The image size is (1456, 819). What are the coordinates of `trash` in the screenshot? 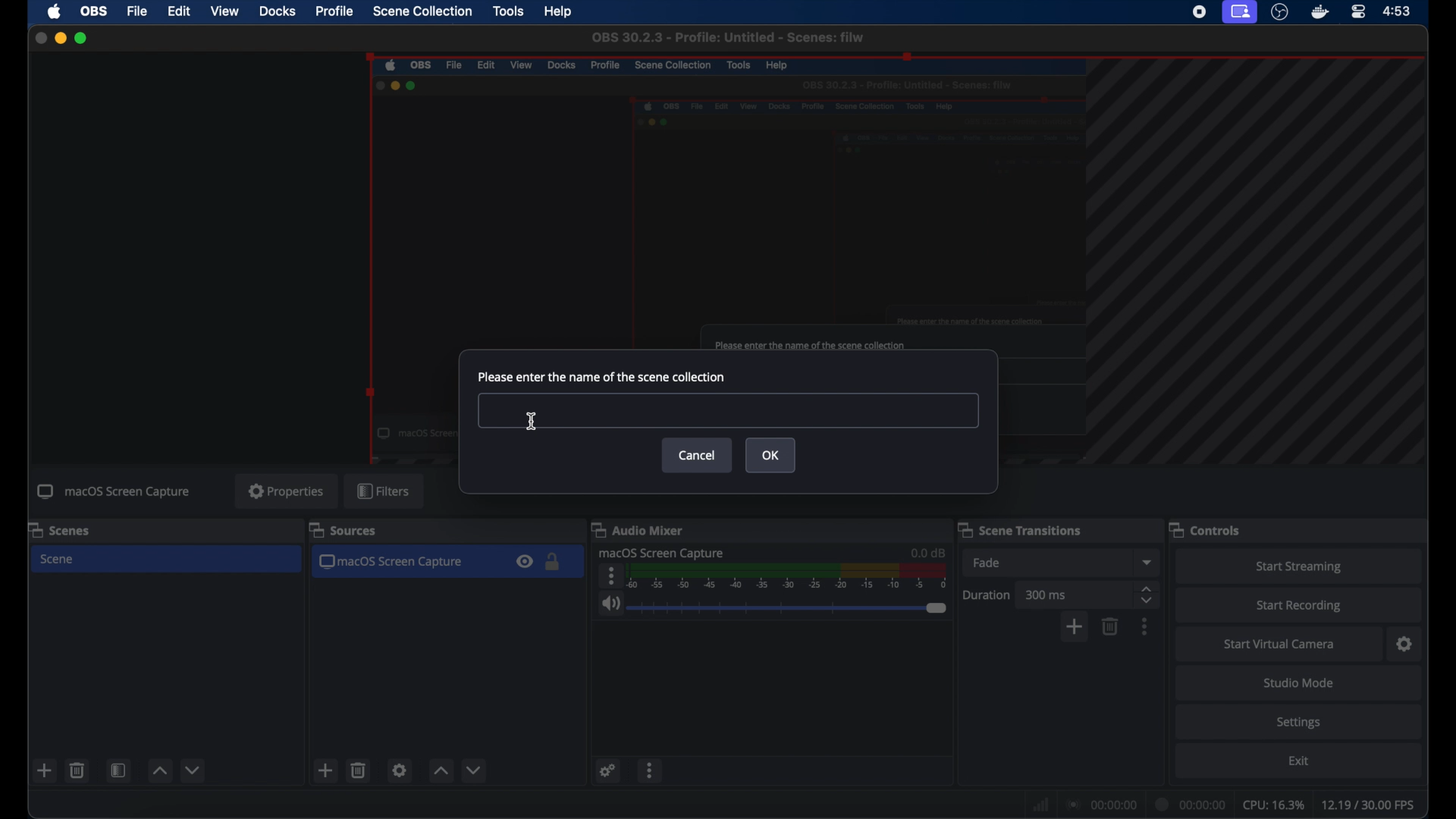 It's located at (77, 770).